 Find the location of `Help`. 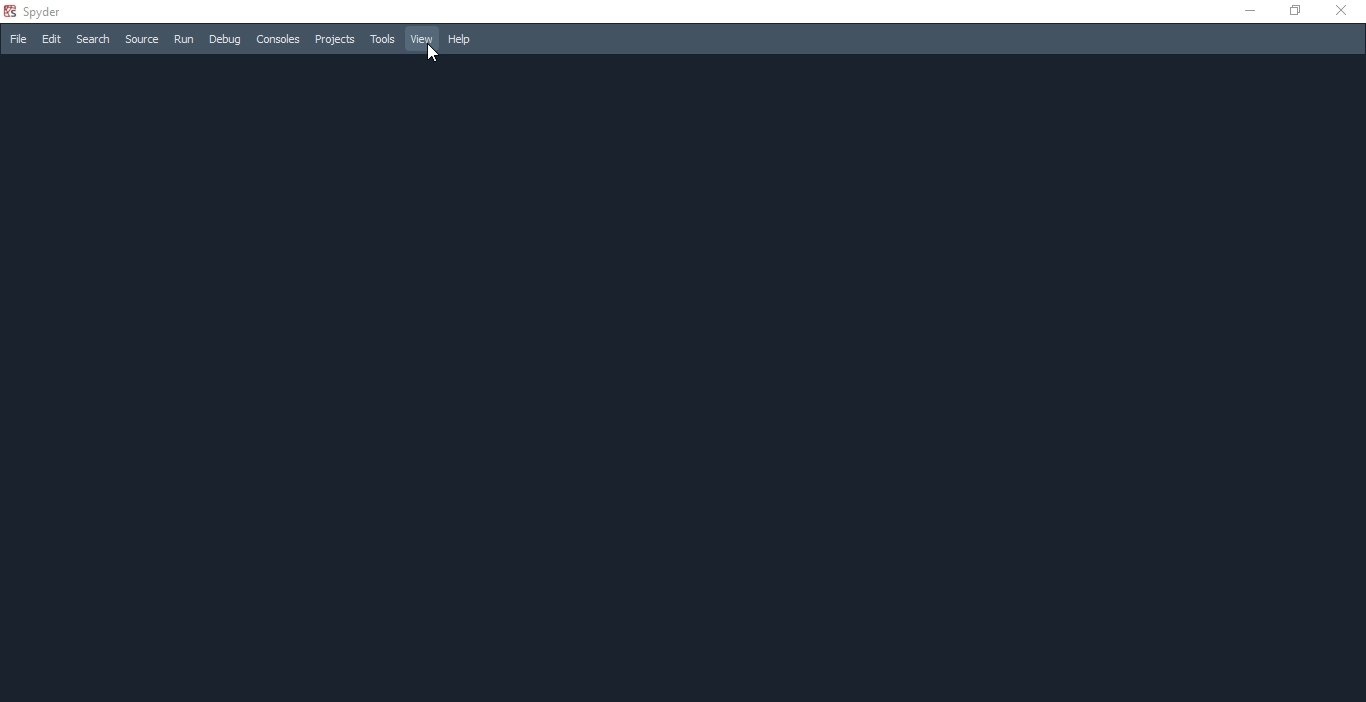

Help is located at coordinates (464, 40).